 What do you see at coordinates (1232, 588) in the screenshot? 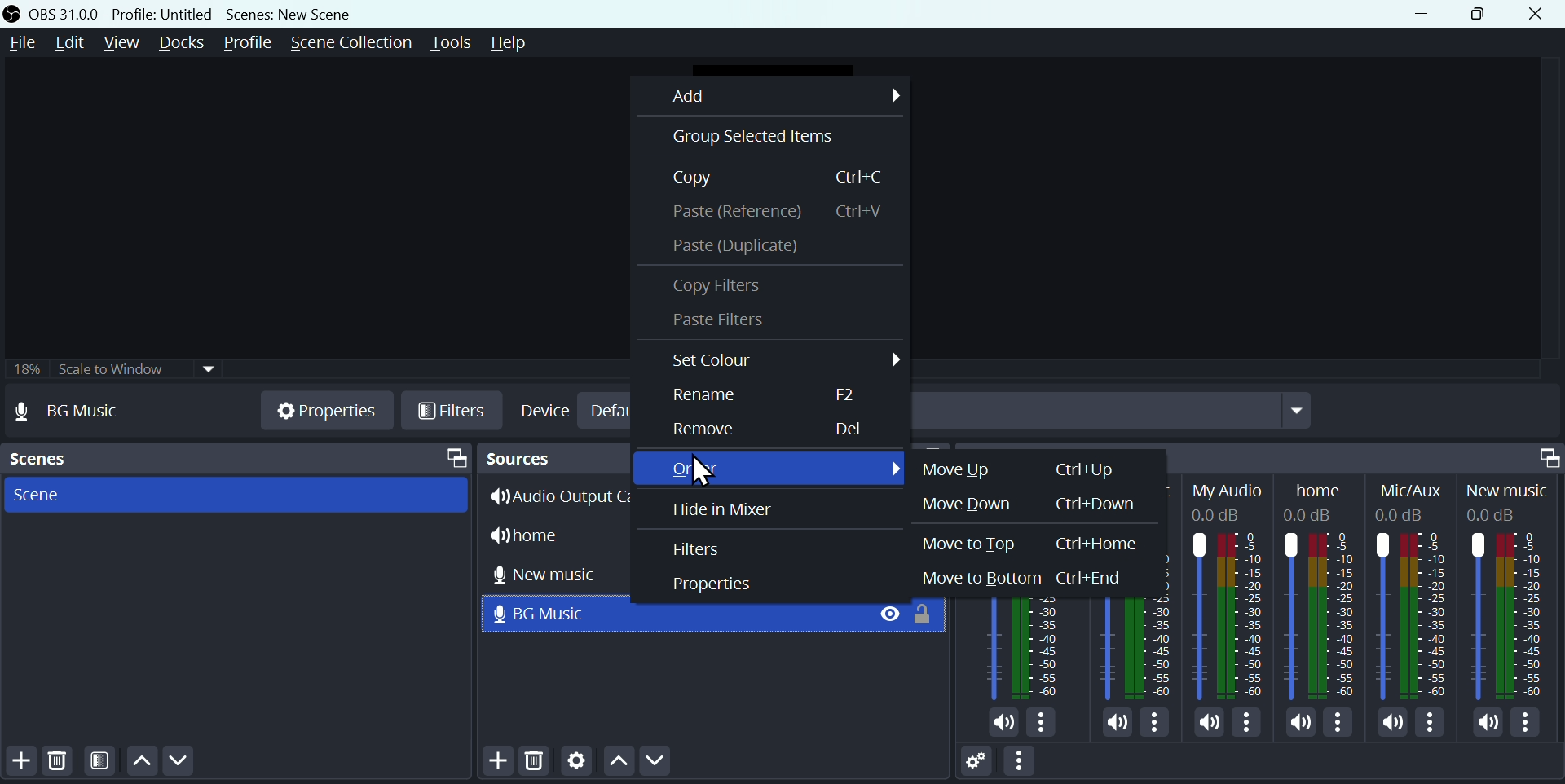
I see `My Audio` at bounding box center [1232, 588].